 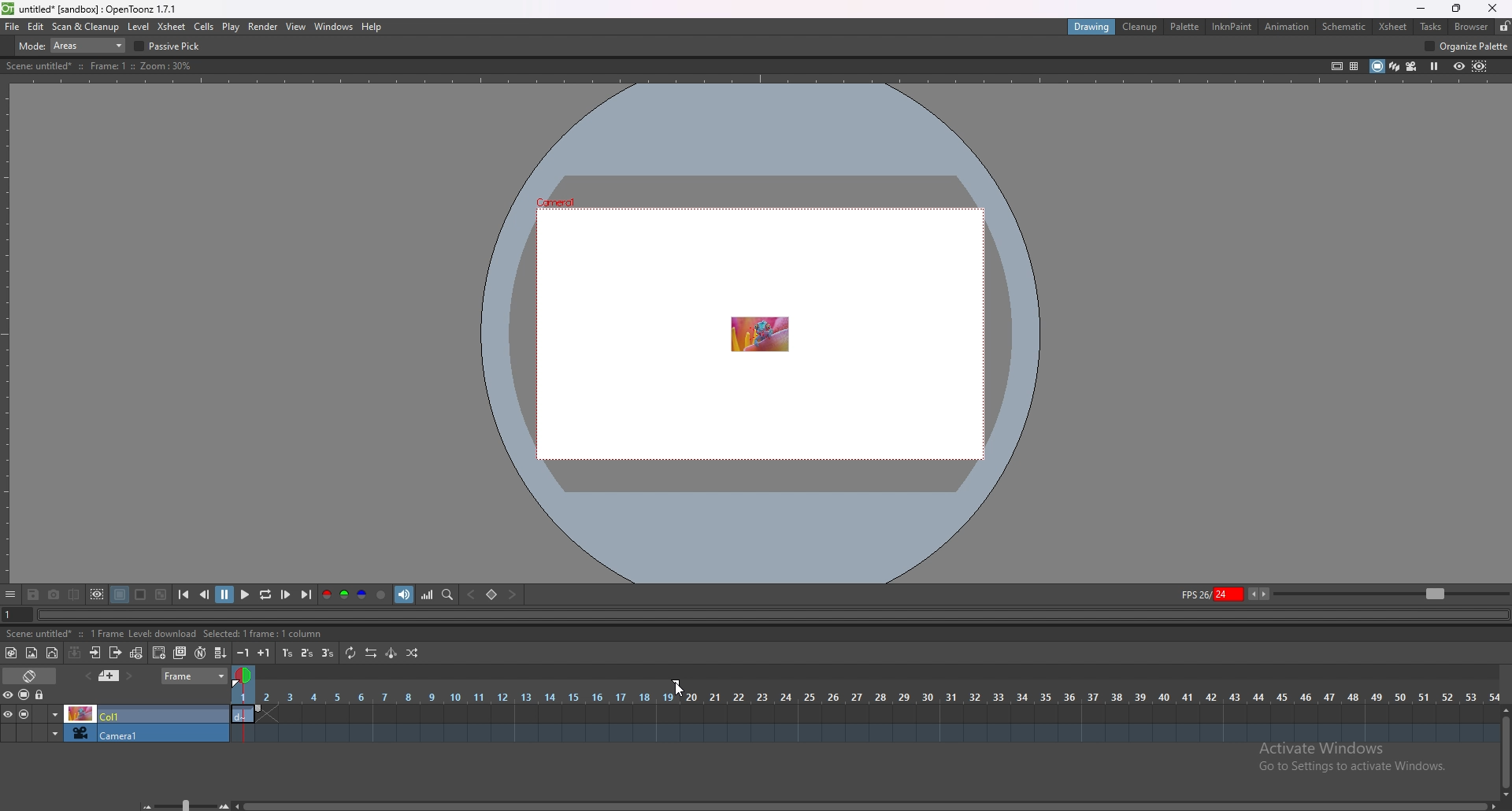 What do you see at coordinates (677, 687) in the screenshot?
I see `cursor` at bounding box center [677, 687].